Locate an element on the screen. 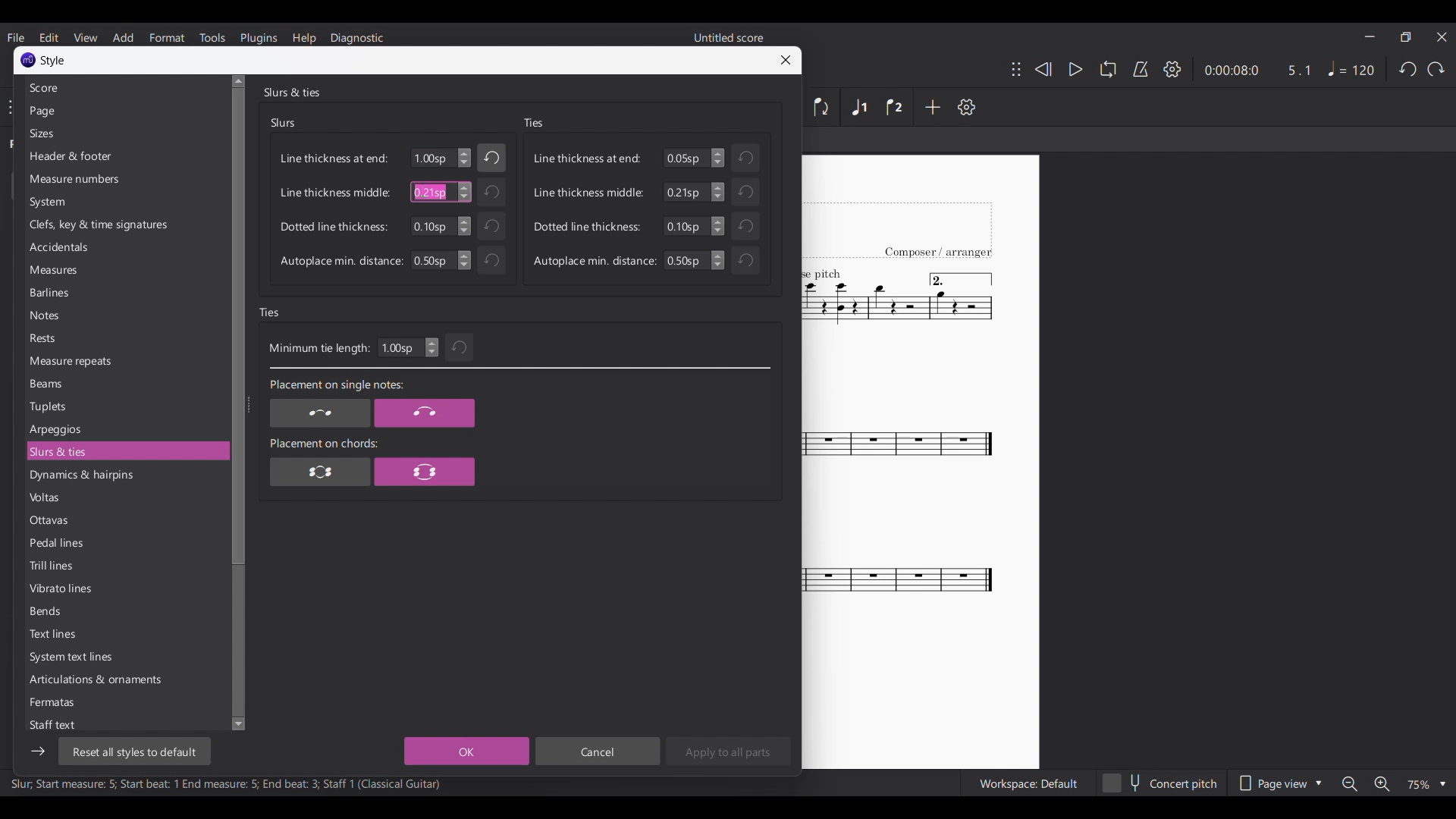  Rewind is located at coordinates (1043, 70).